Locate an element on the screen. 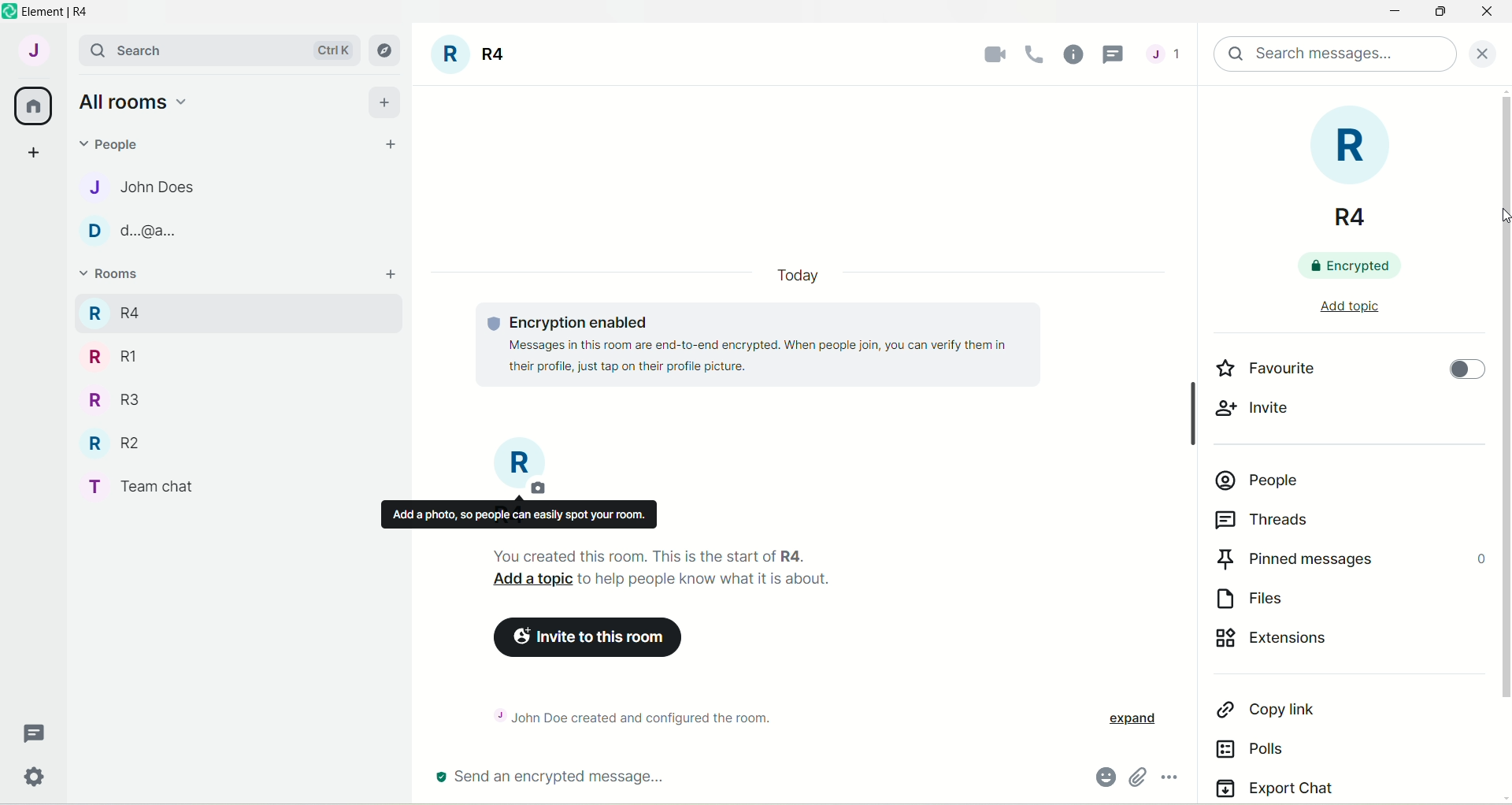  ~ John Doe created and configured the room. is located at coordinates (649, 715).